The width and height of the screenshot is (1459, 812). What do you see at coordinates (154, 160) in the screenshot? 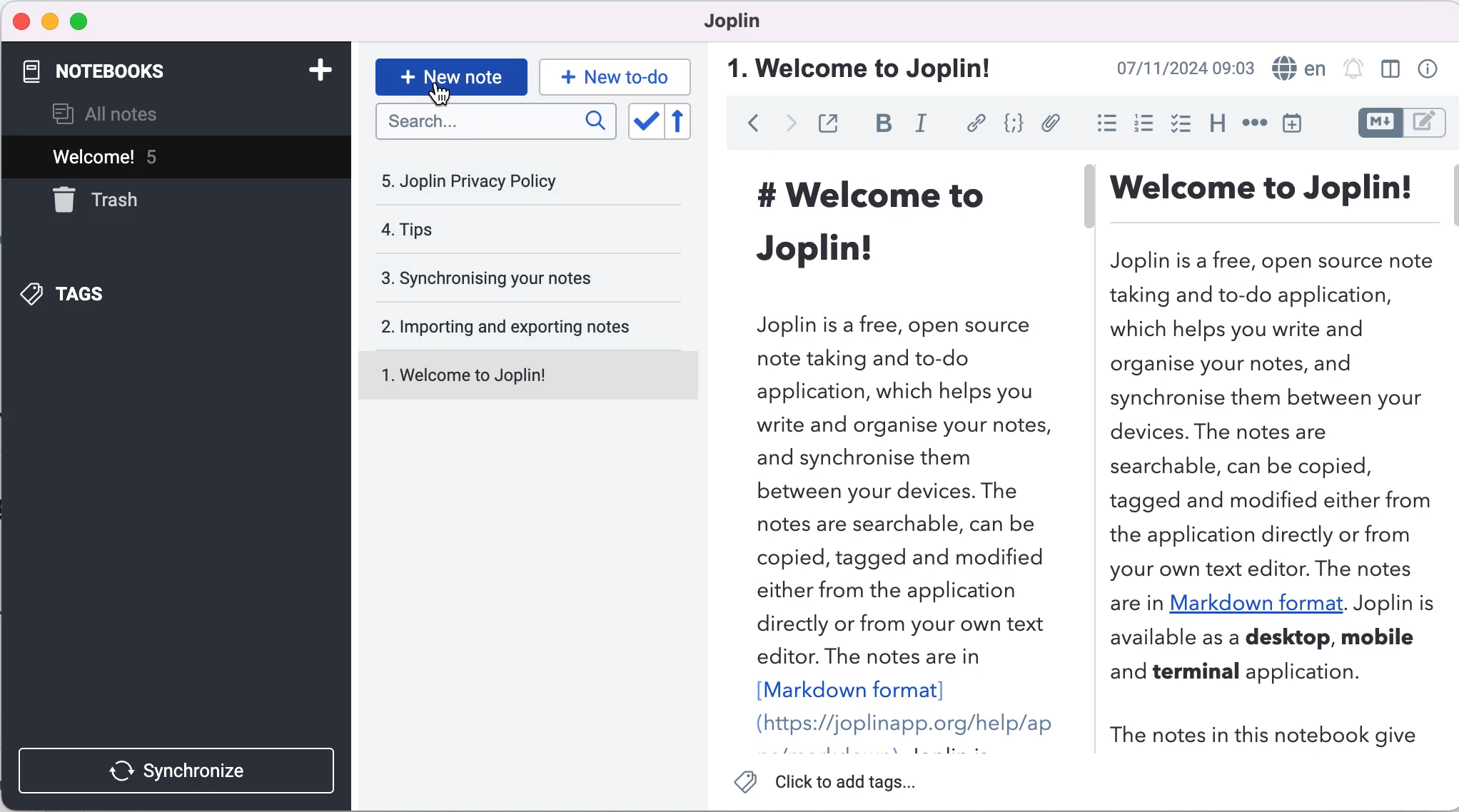
I see `welcome! 5` at bounding box center [154, 160].